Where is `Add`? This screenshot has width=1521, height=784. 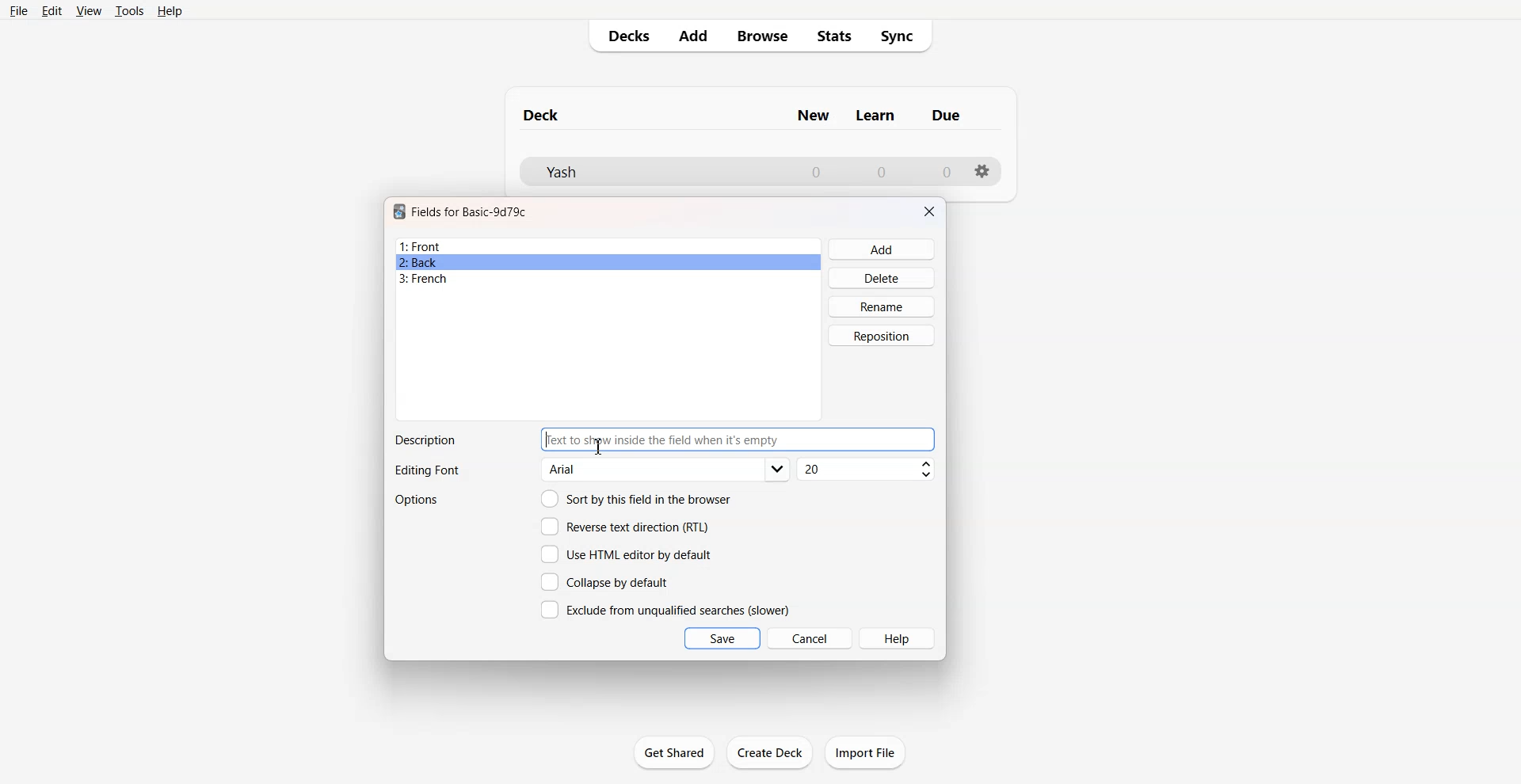 Add is located at coordinates (692, 36).